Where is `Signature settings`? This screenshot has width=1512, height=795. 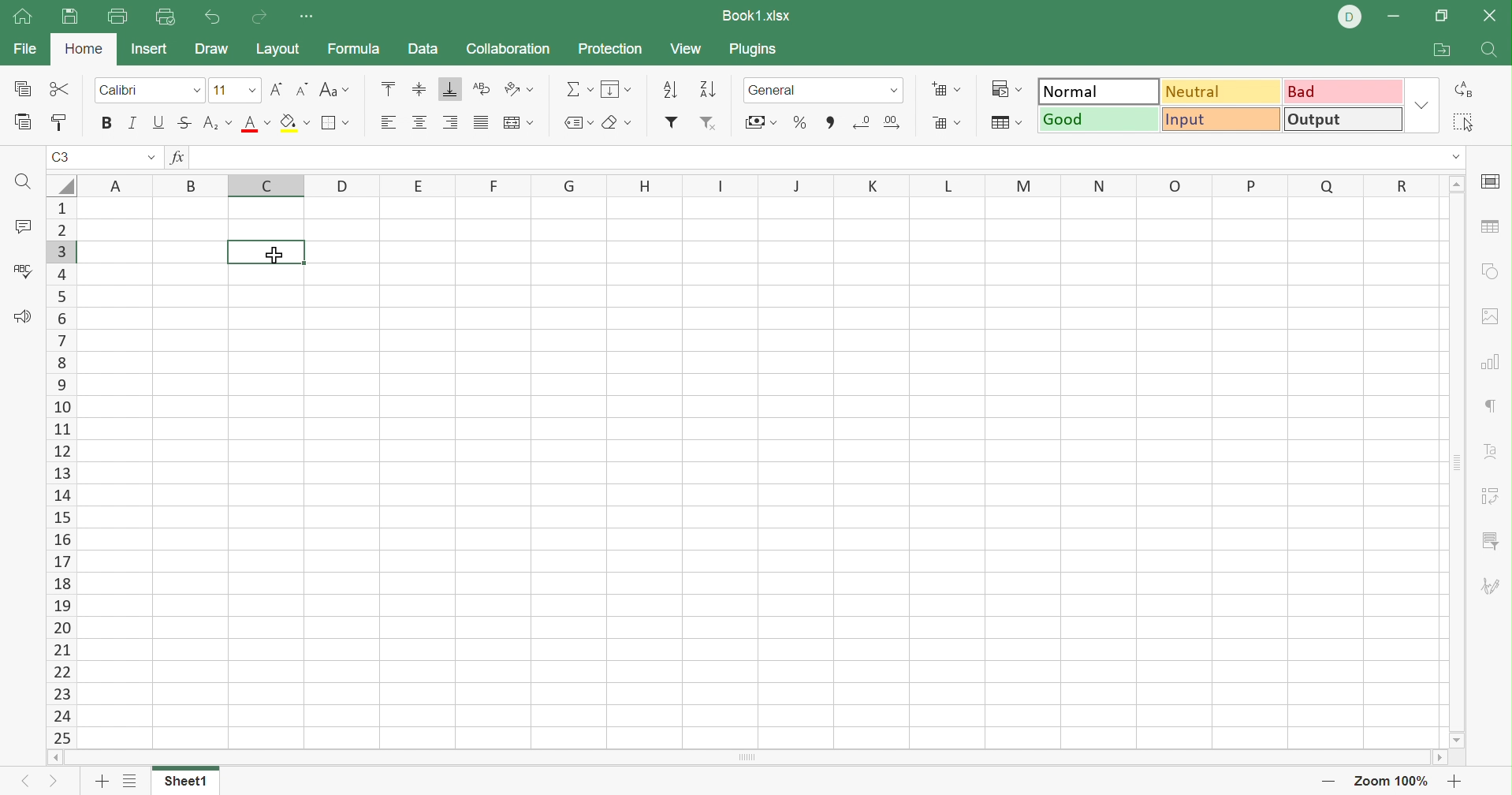 Signature settings is located at coordinates (1494, 587).